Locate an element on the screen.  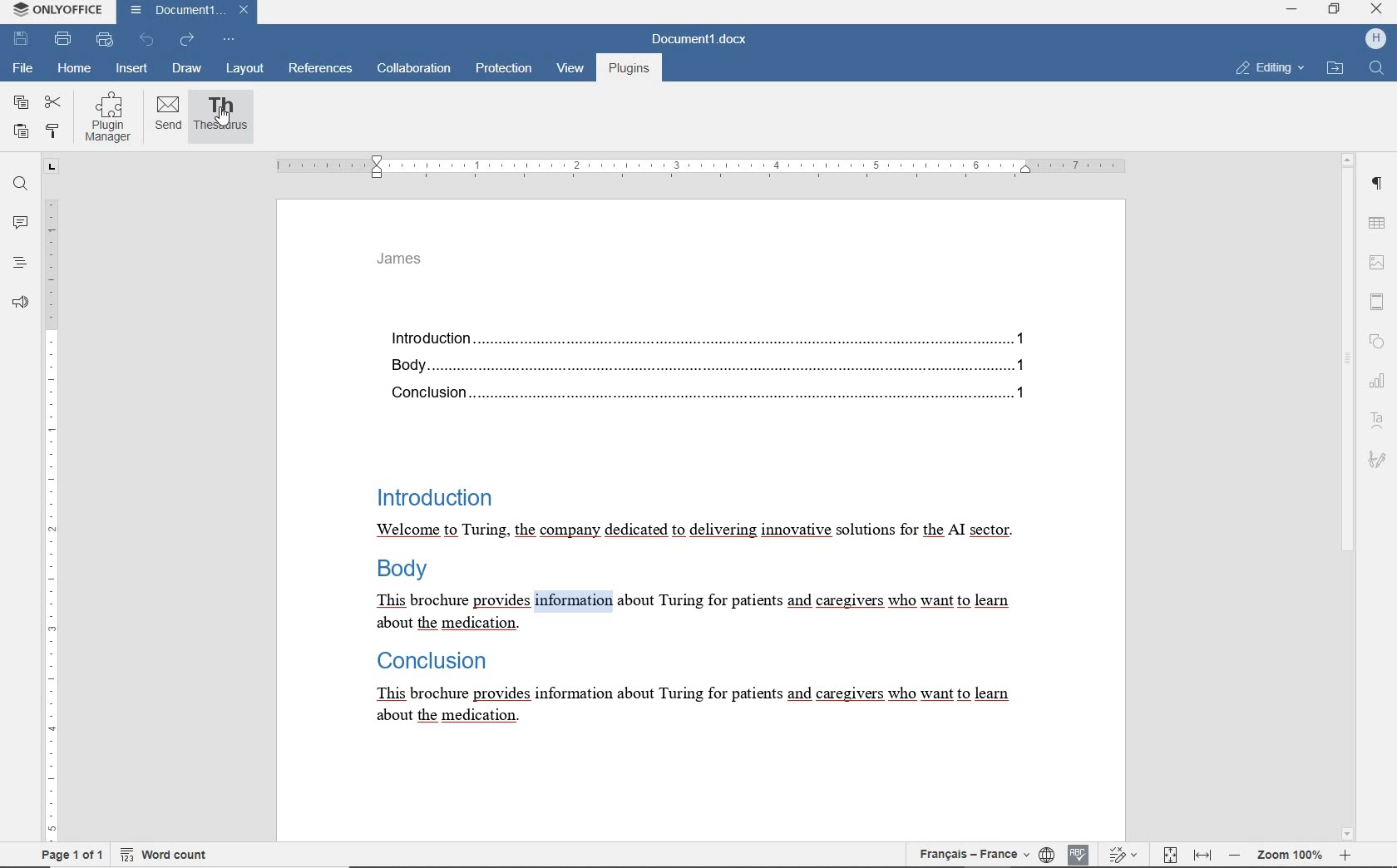
COLLABORATION is located at coordinates (413, 70).